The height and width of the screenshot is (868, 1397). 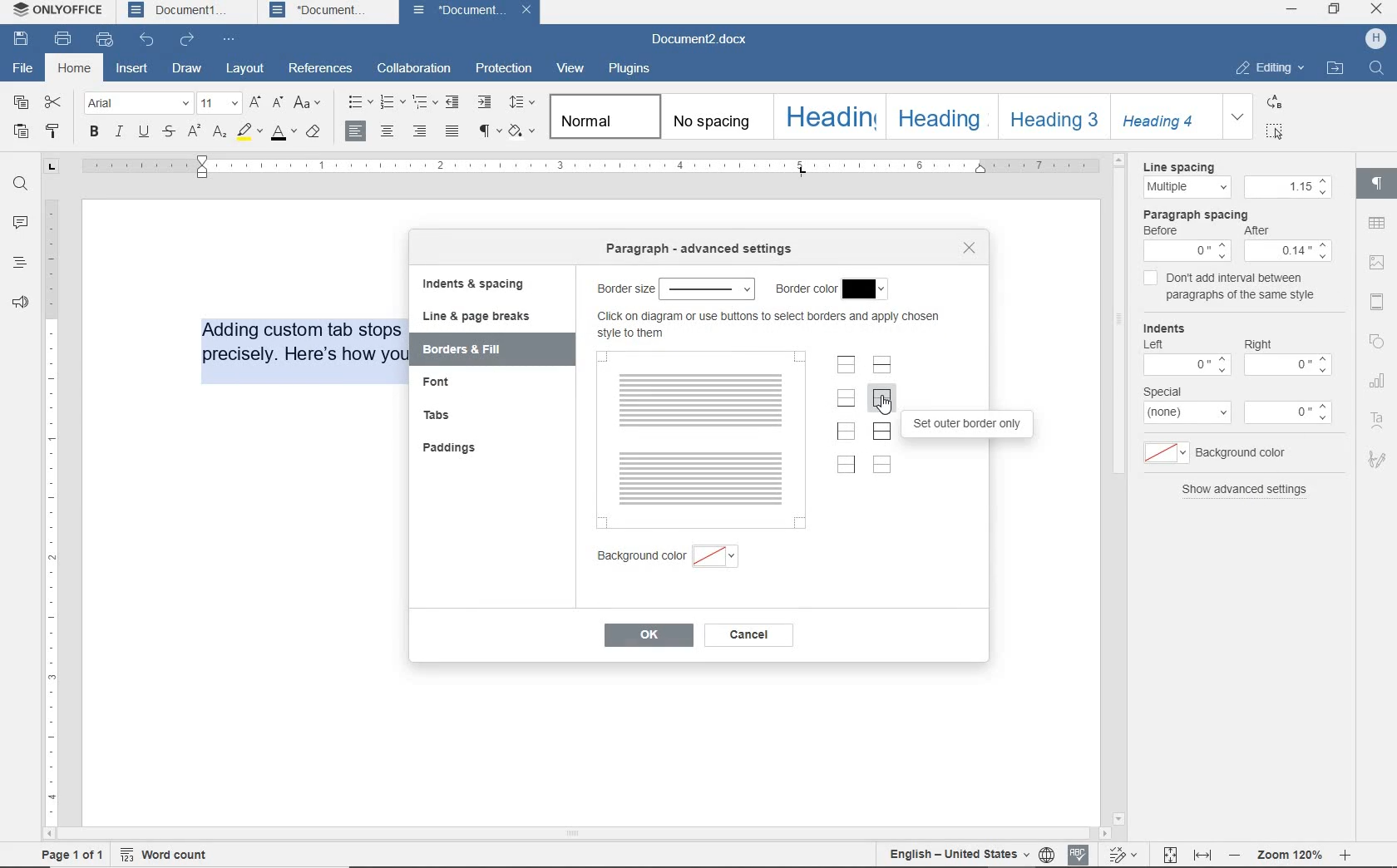 What do you see at coordinates (884, 365) in the screenshot?
I see `set horizontal inner lines only` at bounding box center [884, 365].